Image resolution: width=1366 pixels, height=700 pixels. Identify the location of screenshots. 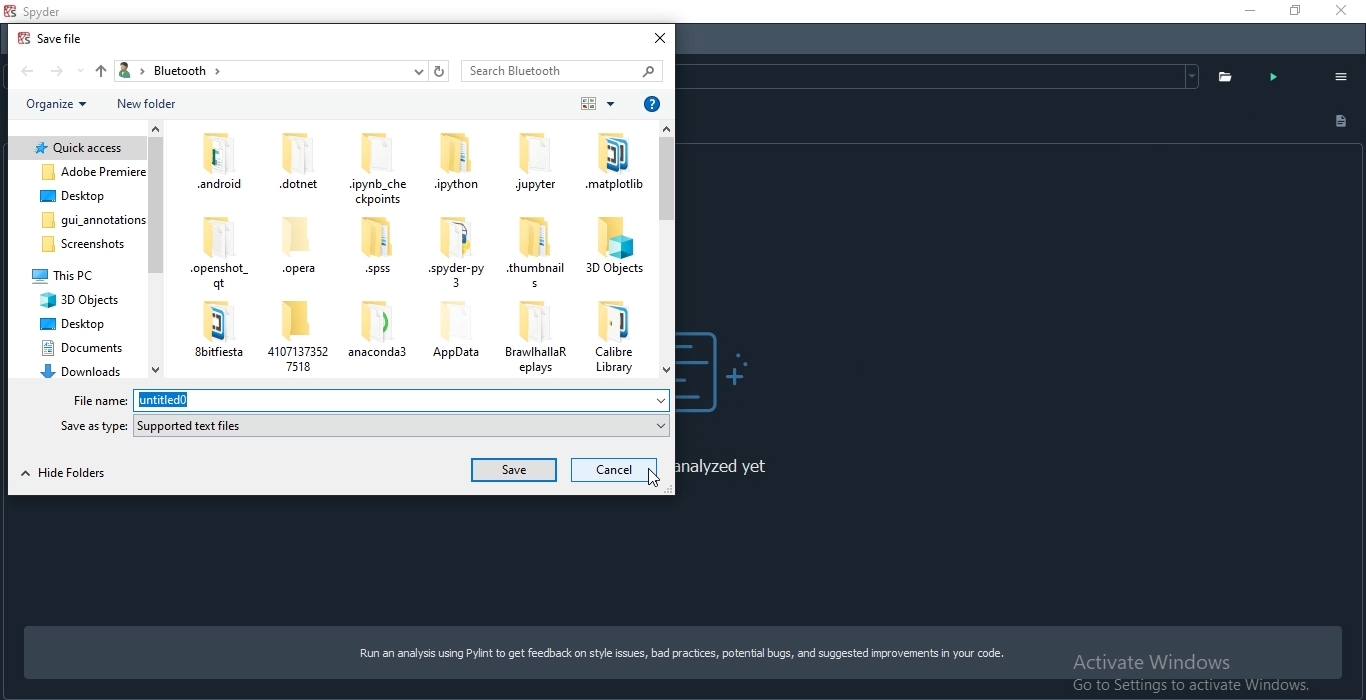
(78, 245).